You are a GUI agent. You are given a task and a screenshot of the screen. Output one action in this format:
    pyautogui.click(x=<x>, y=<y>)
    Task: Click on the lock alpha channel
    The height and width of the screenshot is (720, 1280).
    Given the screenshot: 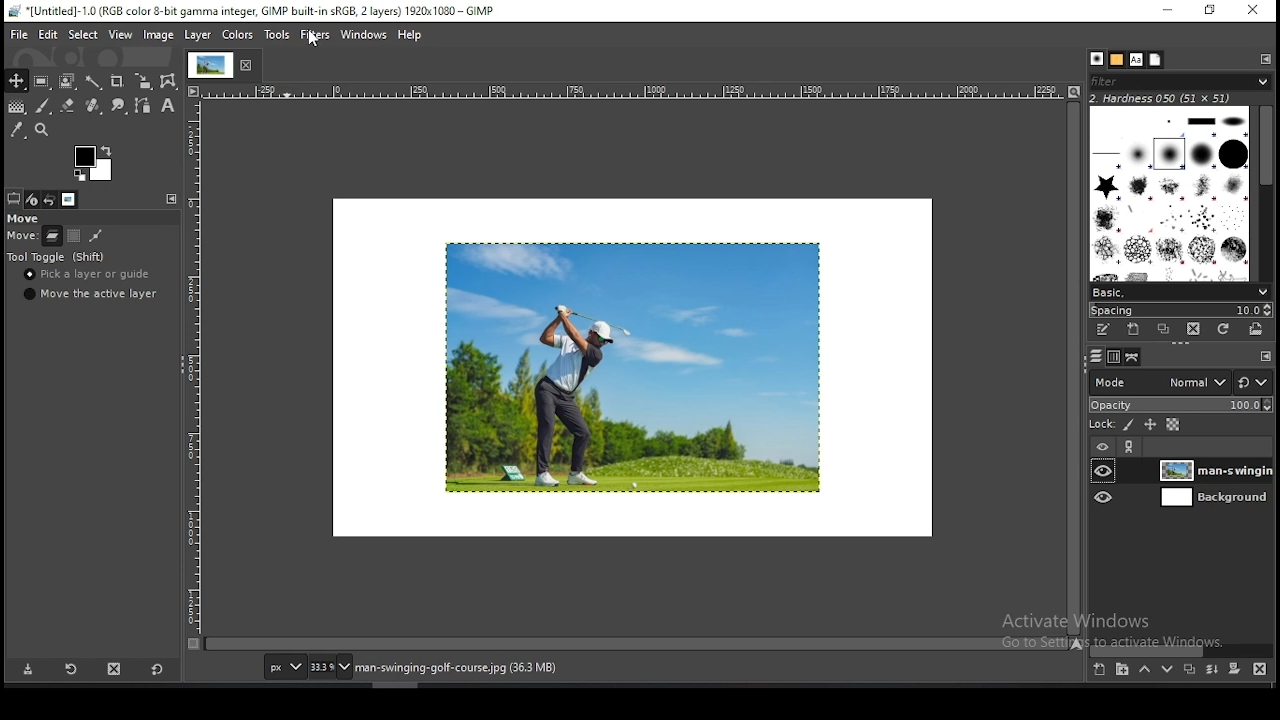 What is the action you would take?
    pyautogui.click(x=1171, y=425)
    